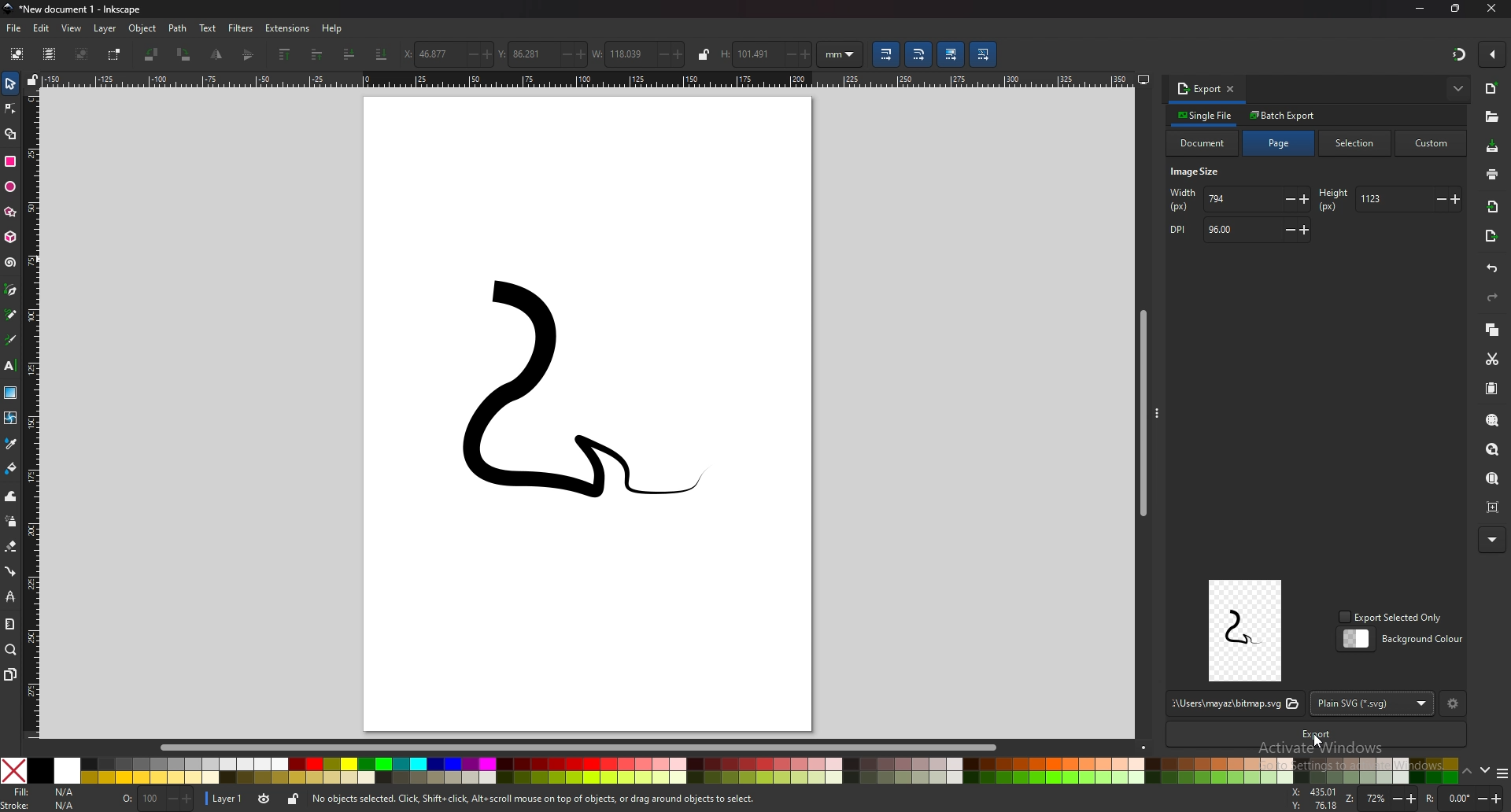 The height and width of the screenshot is (812, 1511). What do you see at coordinates (242, 28) in the screenshot?
I see `filters` at bounding box center [242, 28].